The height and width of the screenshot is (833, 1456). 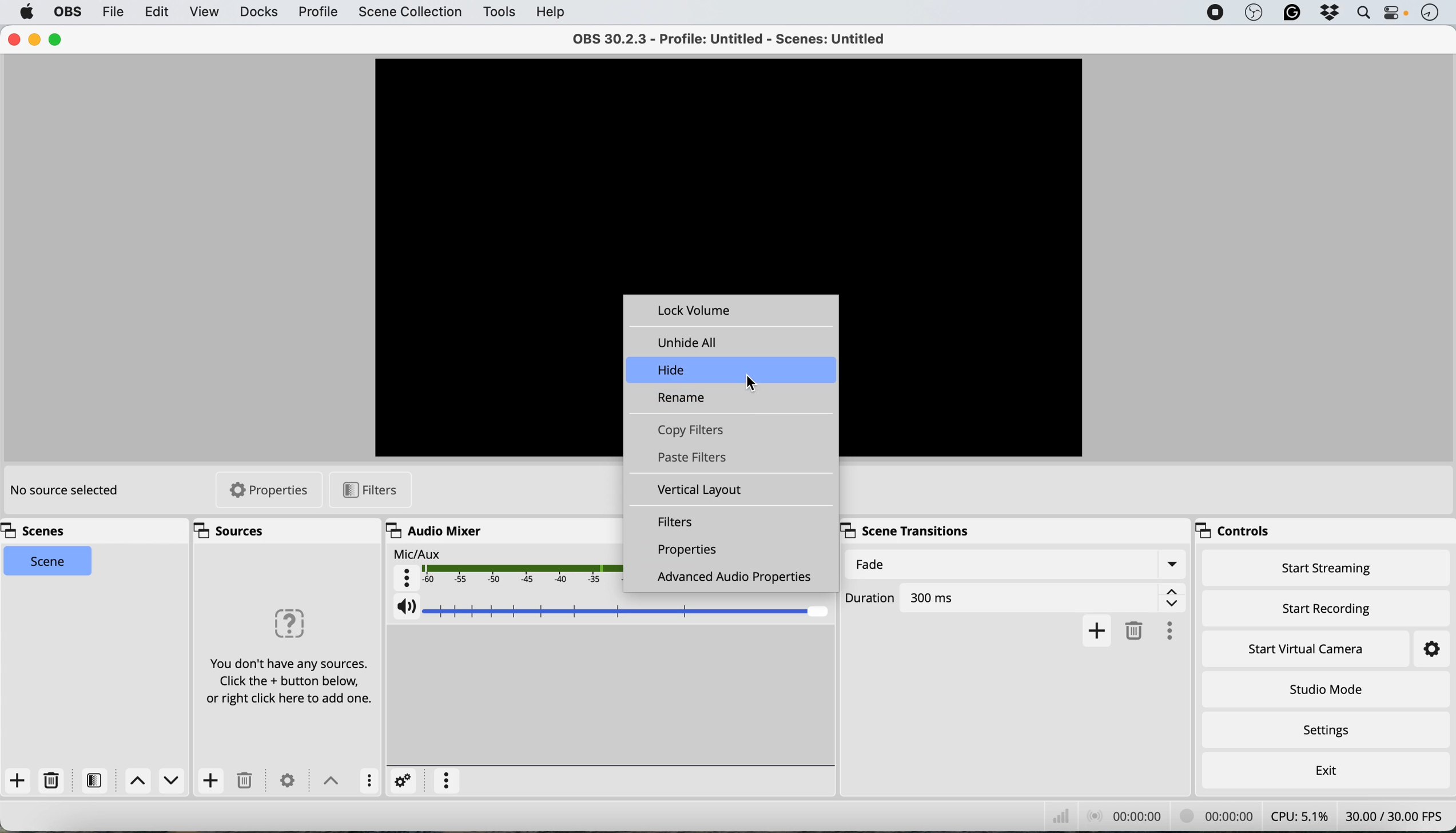 What do you see at coordinates (201, 11) in the screenshot?
I see `view` at bounding box center [201, 11].